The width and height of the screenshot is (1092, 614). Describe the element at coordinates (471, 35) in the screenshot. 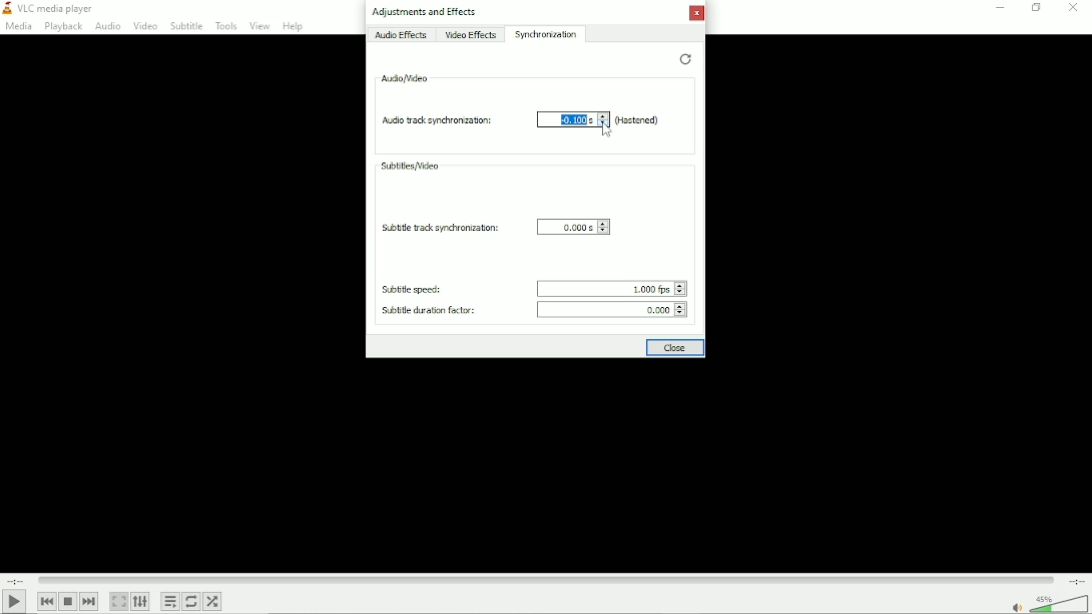

I see `Video effects` at that location.